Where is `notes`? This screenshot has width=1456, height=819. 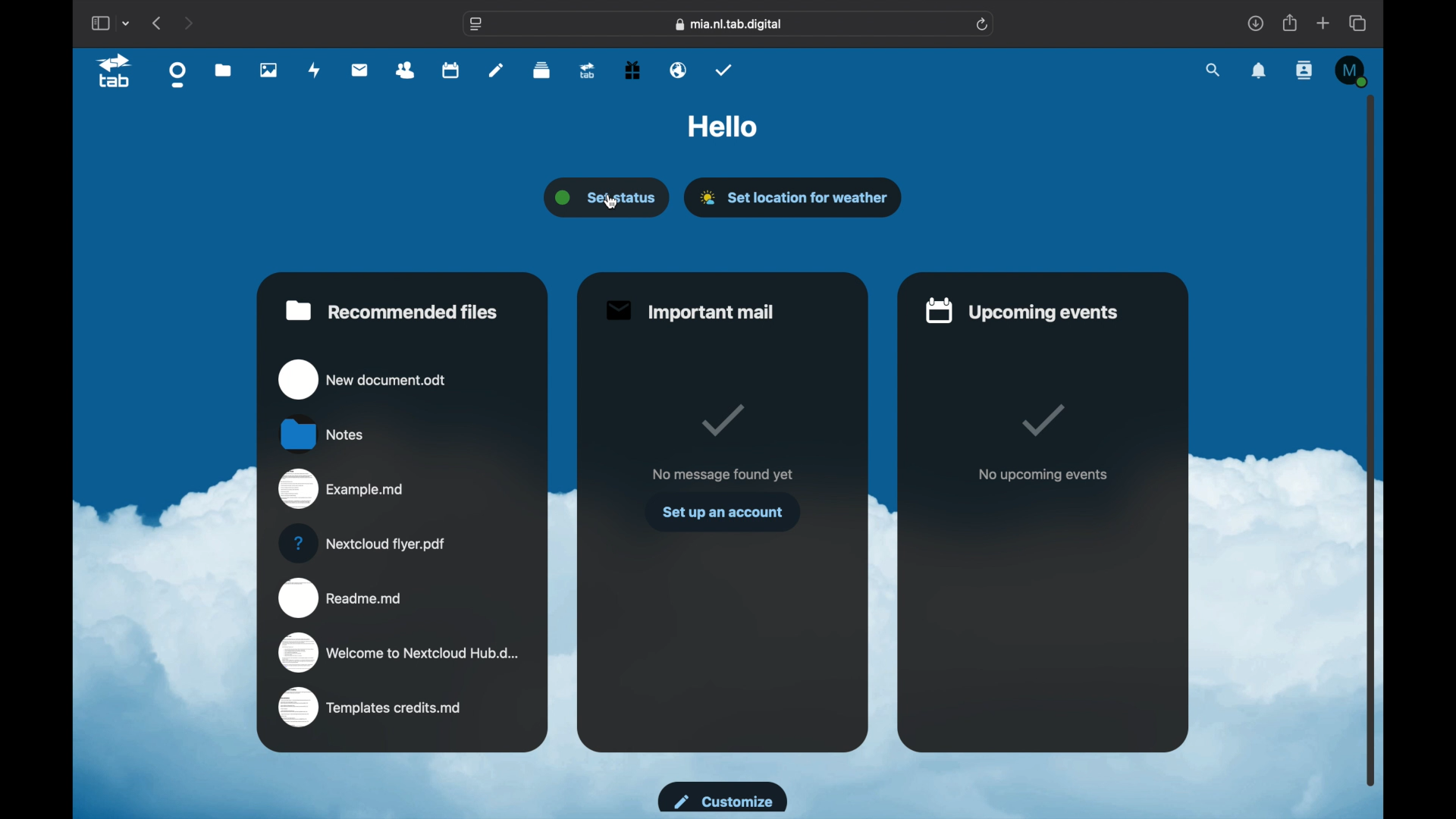
notes is located at coordinates (496, 71).